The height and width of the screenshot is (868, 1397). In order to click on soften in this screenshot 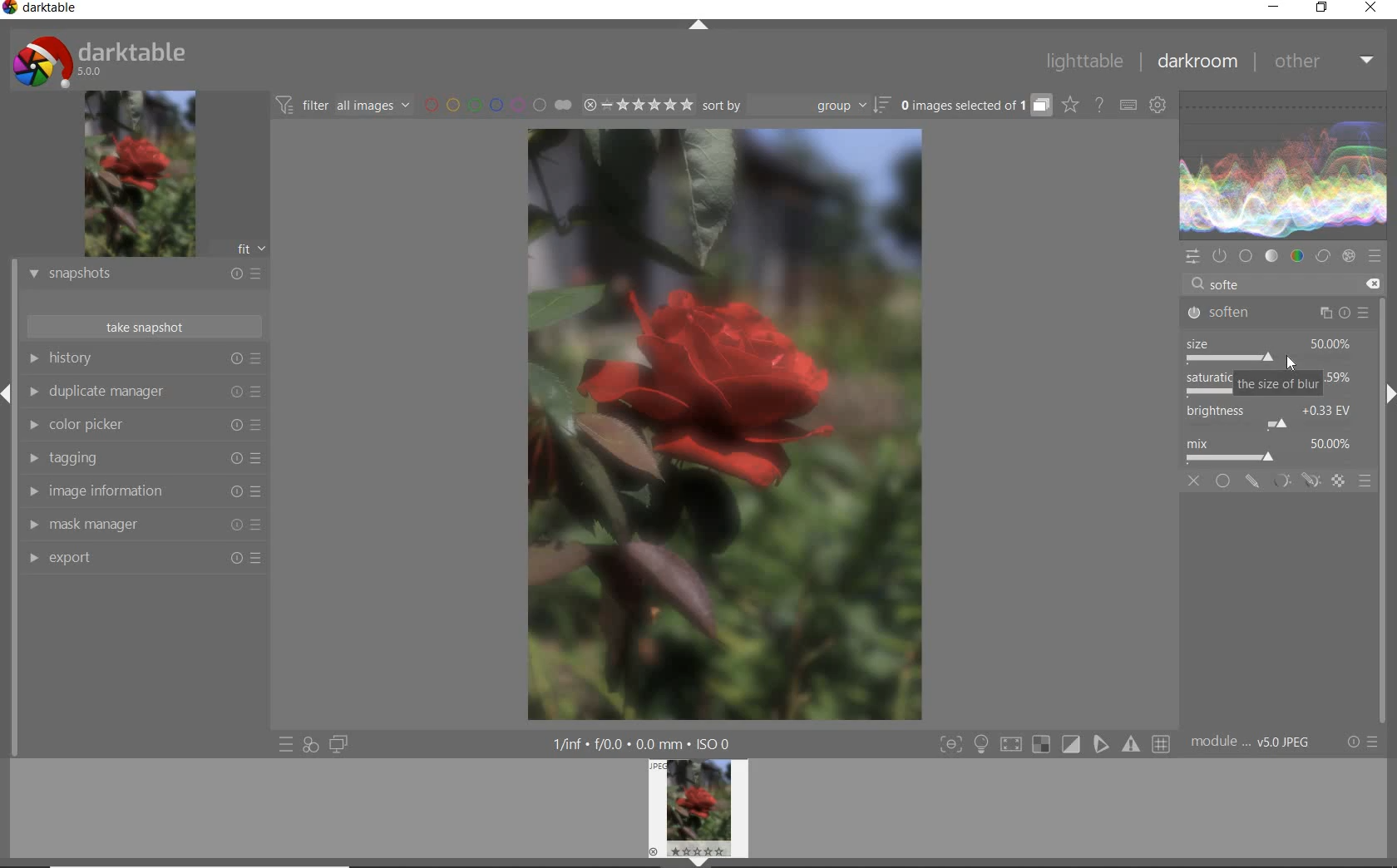, I will do `click(1281, 312)`.